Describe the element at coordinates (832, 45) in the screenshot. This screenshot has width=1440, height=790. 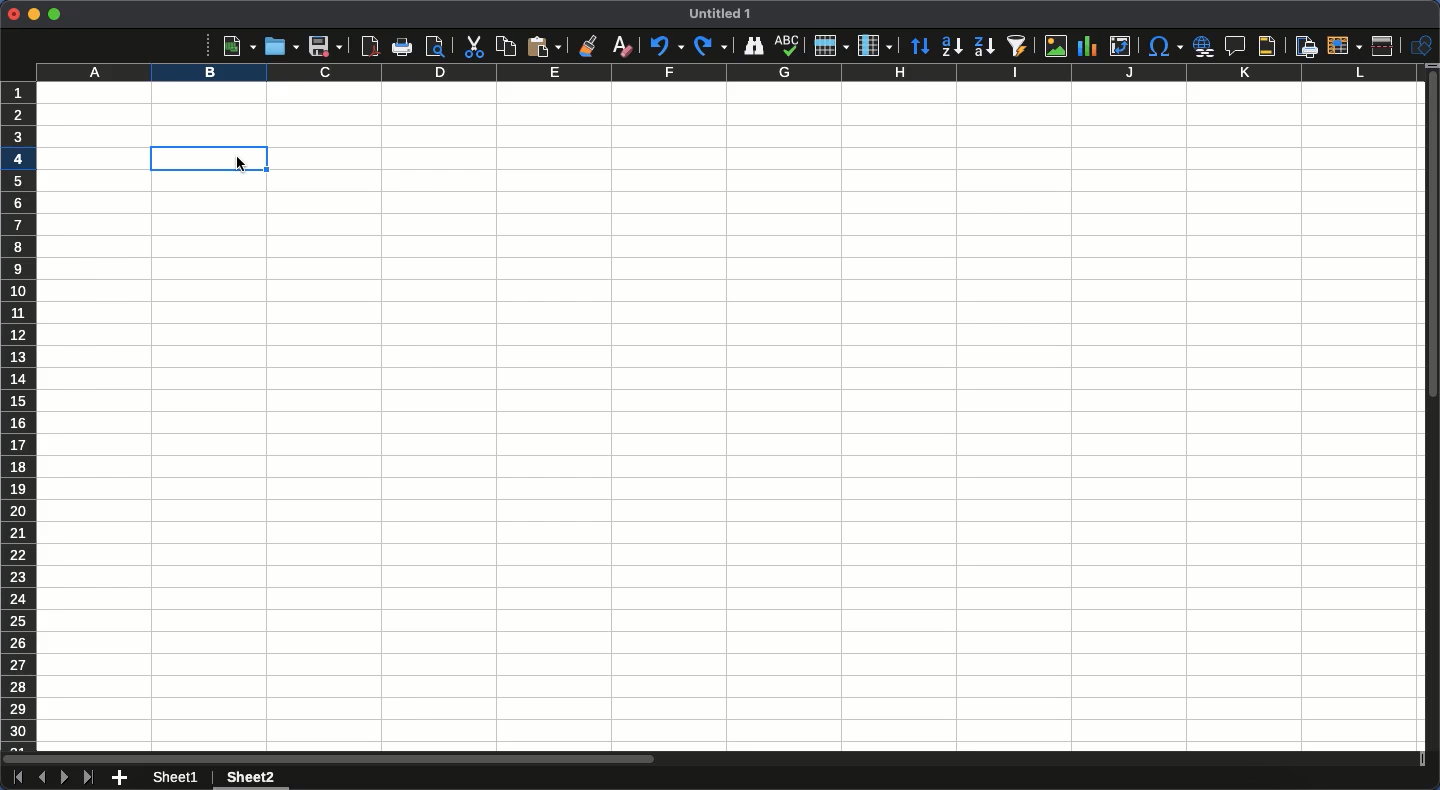
I see `Row` at that location.